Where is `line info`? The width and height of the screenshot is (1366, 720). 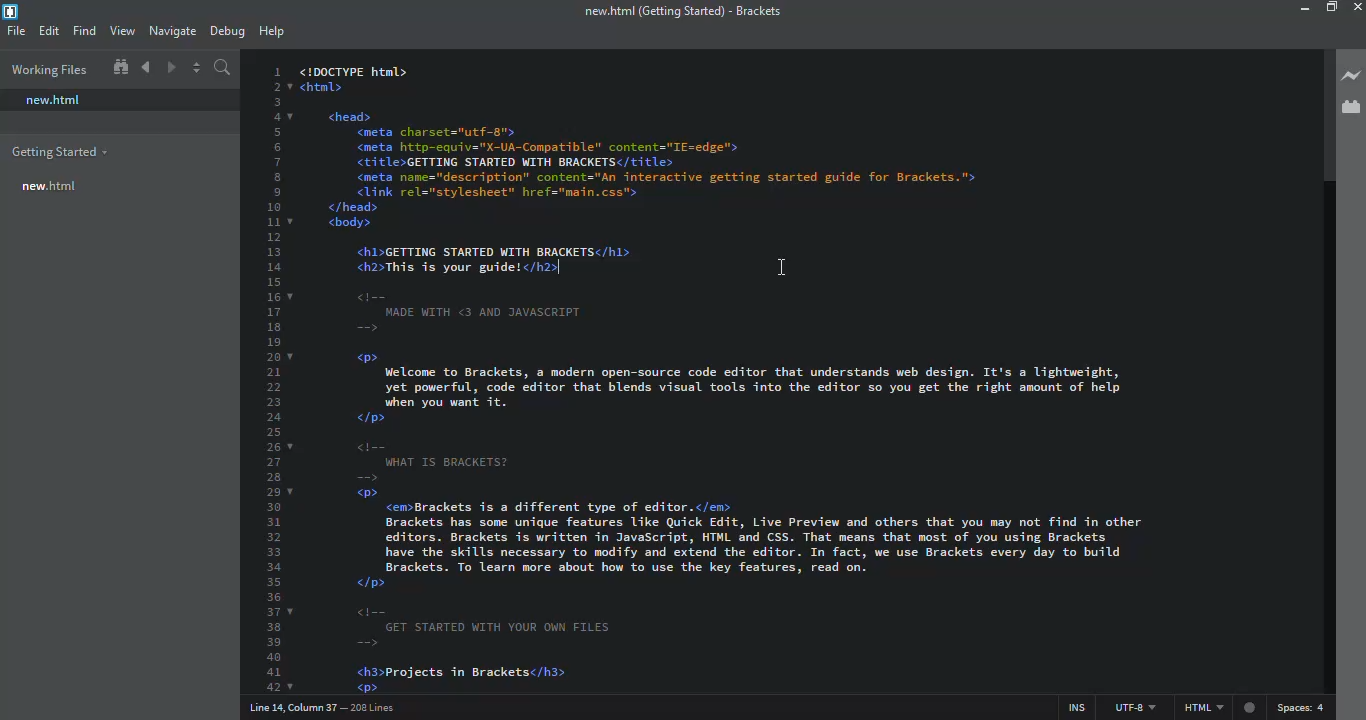
line info is located at coordinates (320, 707).